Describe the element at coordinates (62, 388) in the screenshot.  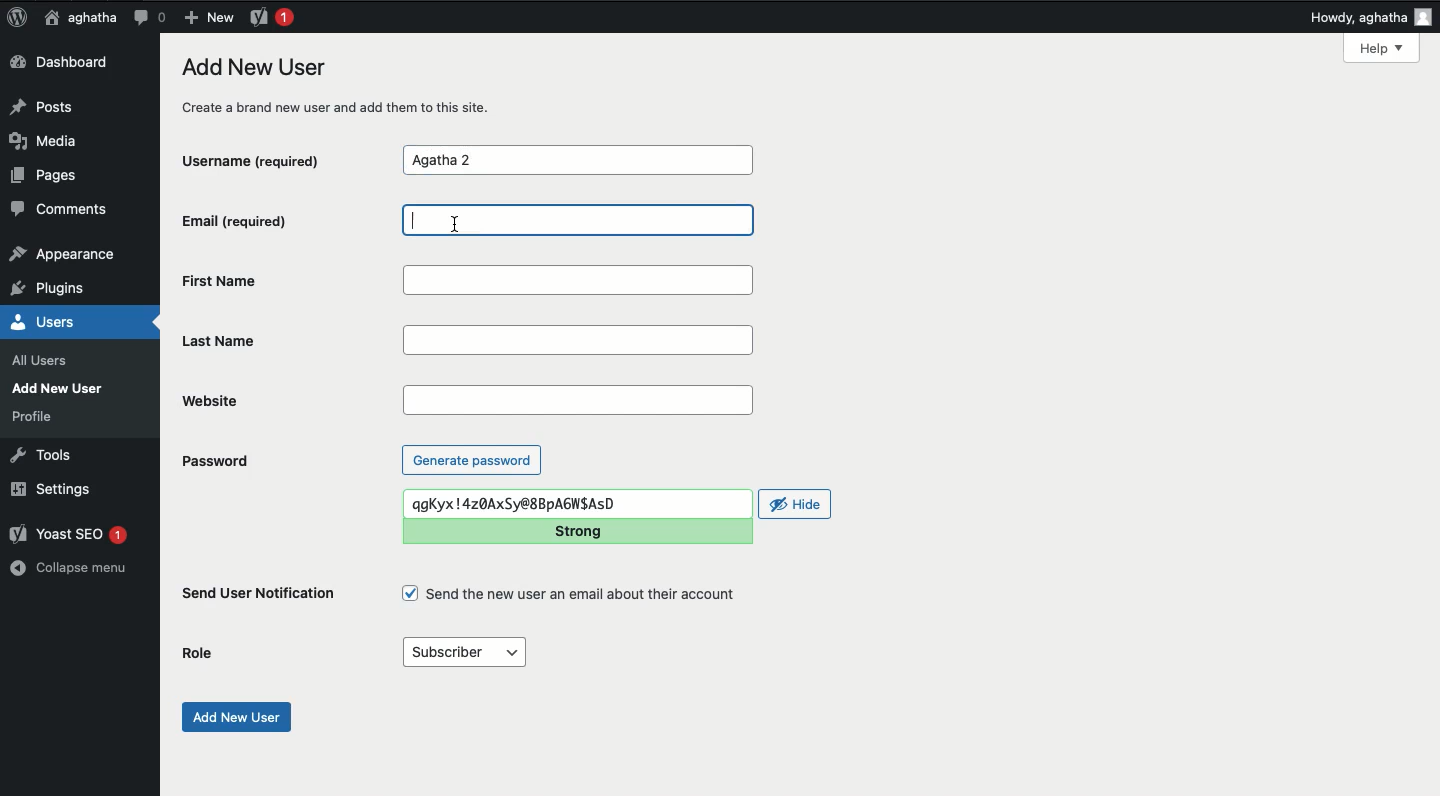
I see `add new user` at that location.